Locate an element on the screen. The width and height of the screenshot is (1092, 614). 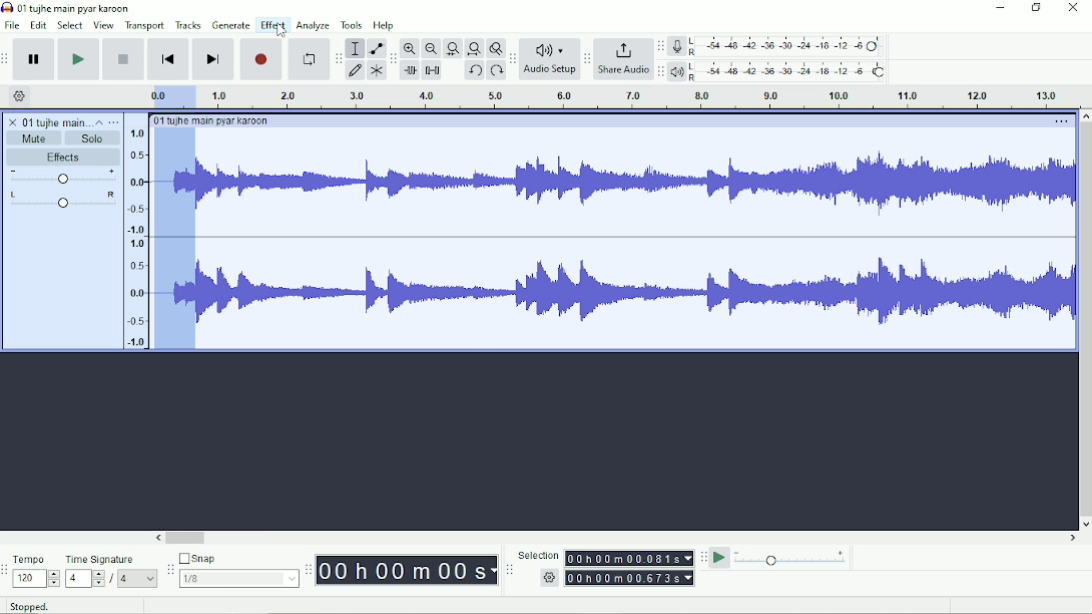
Play duration is located at coordinates (635, 97).